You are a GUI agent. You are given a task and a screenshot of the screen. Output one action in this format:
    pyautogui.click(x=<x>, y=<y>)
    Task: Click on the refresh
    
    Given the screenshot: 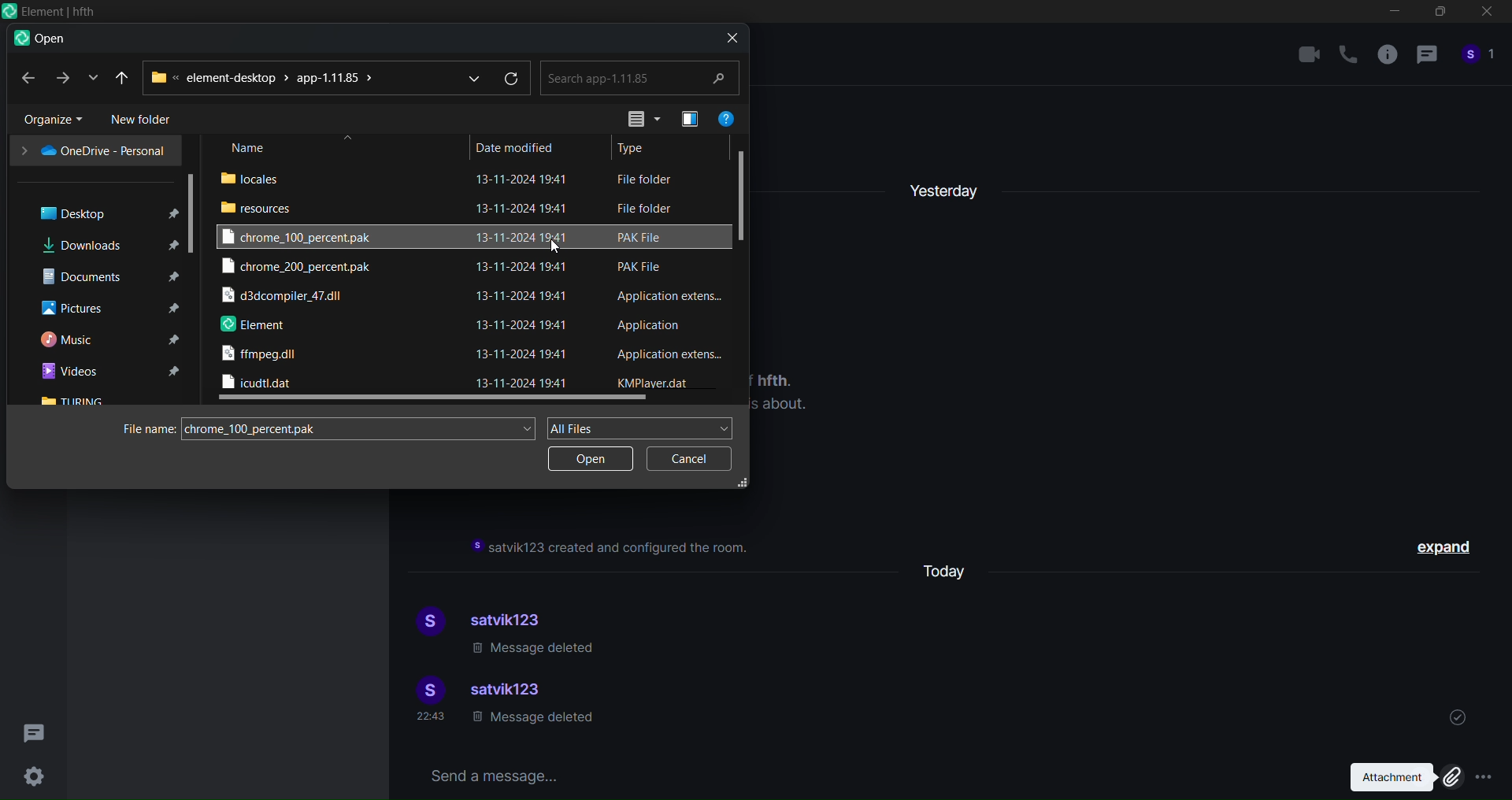 What is the action you would take?
    pyautogui.click(x=513, y=79)
    